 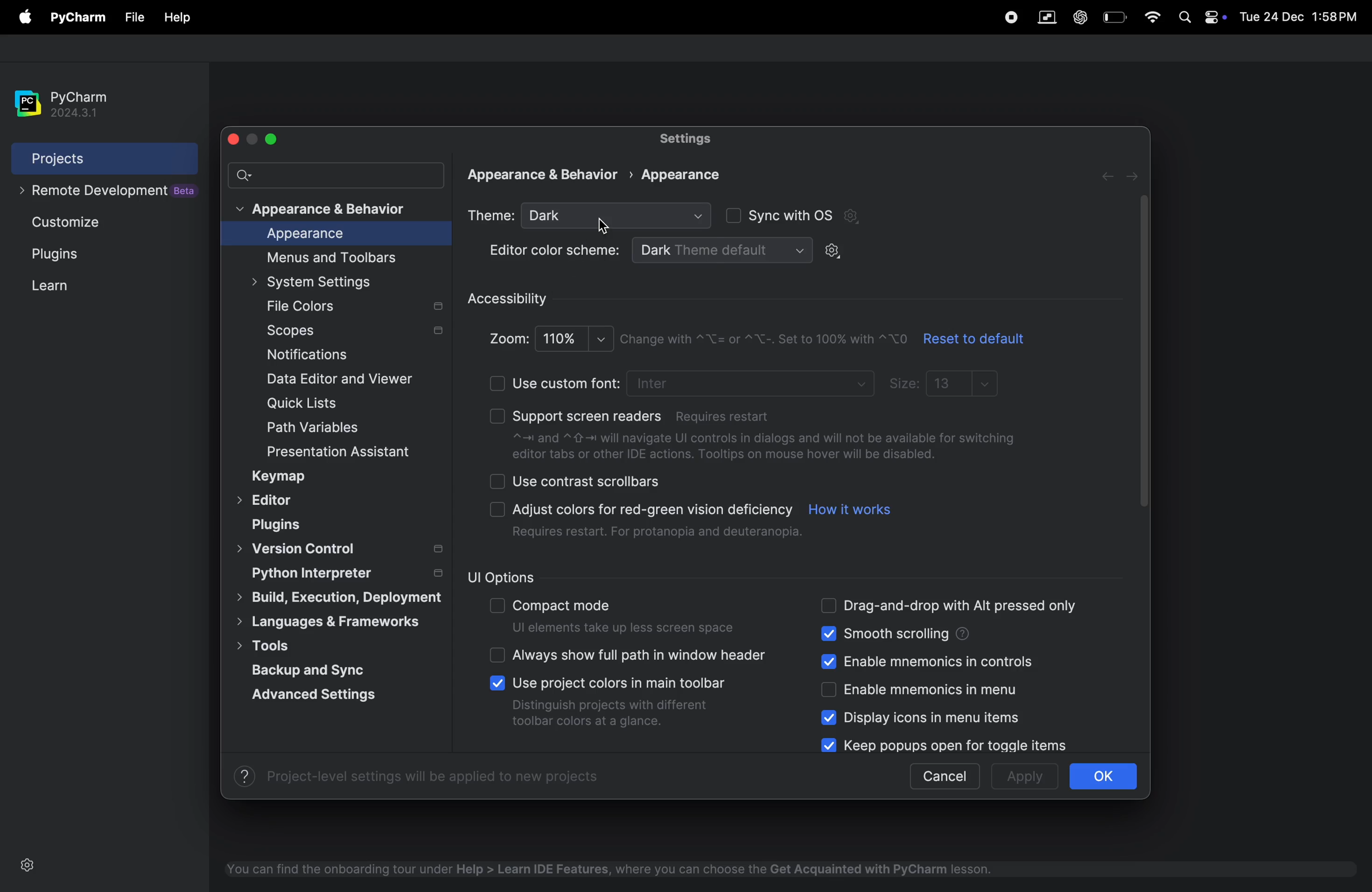 What do you see at coordinates (339, 599) in the screenshot?
I see `build, execution, deployment` at bounding box center [339, 599].